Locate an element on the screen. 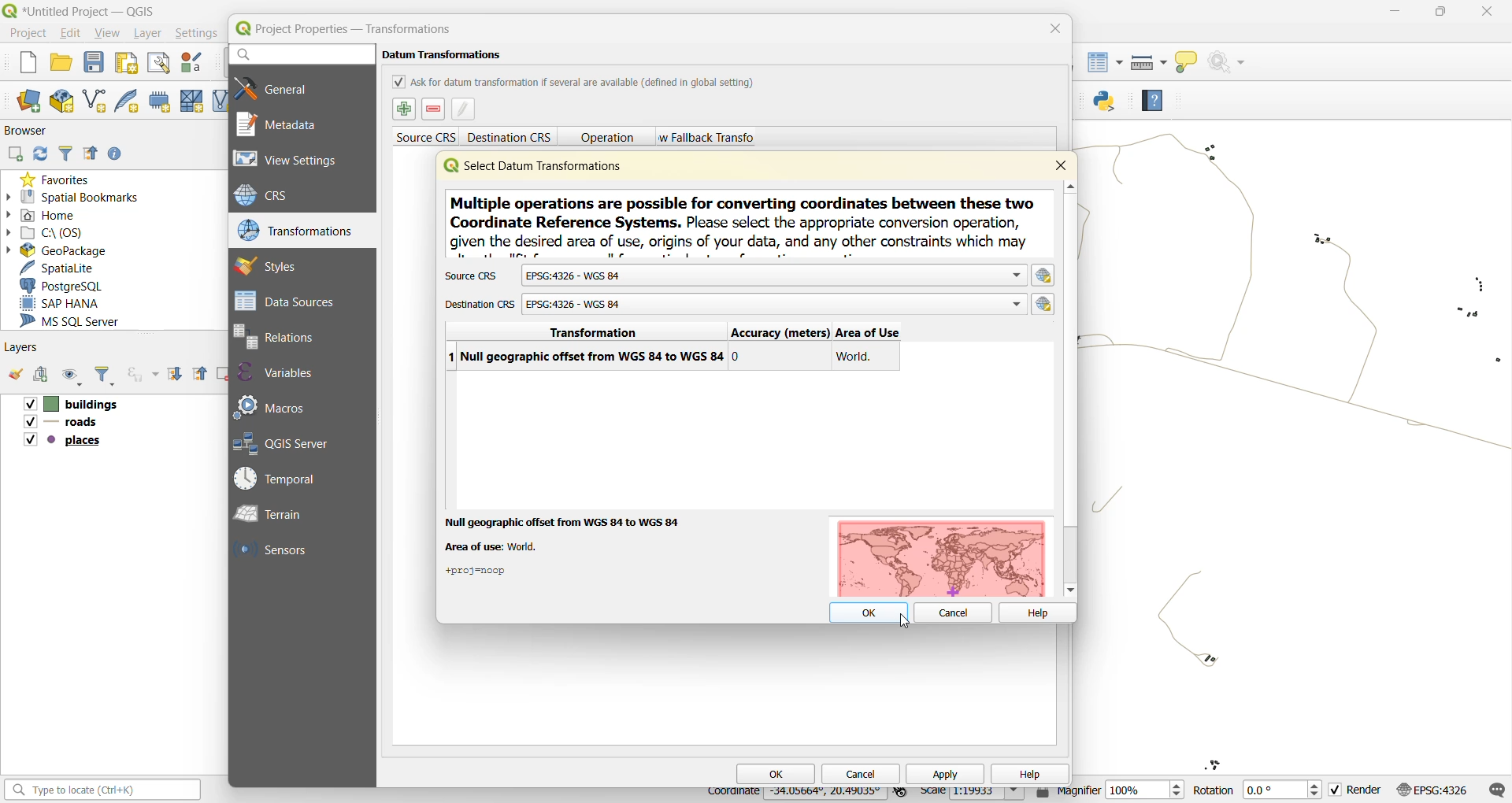  world is located at coordinates (857, 355).